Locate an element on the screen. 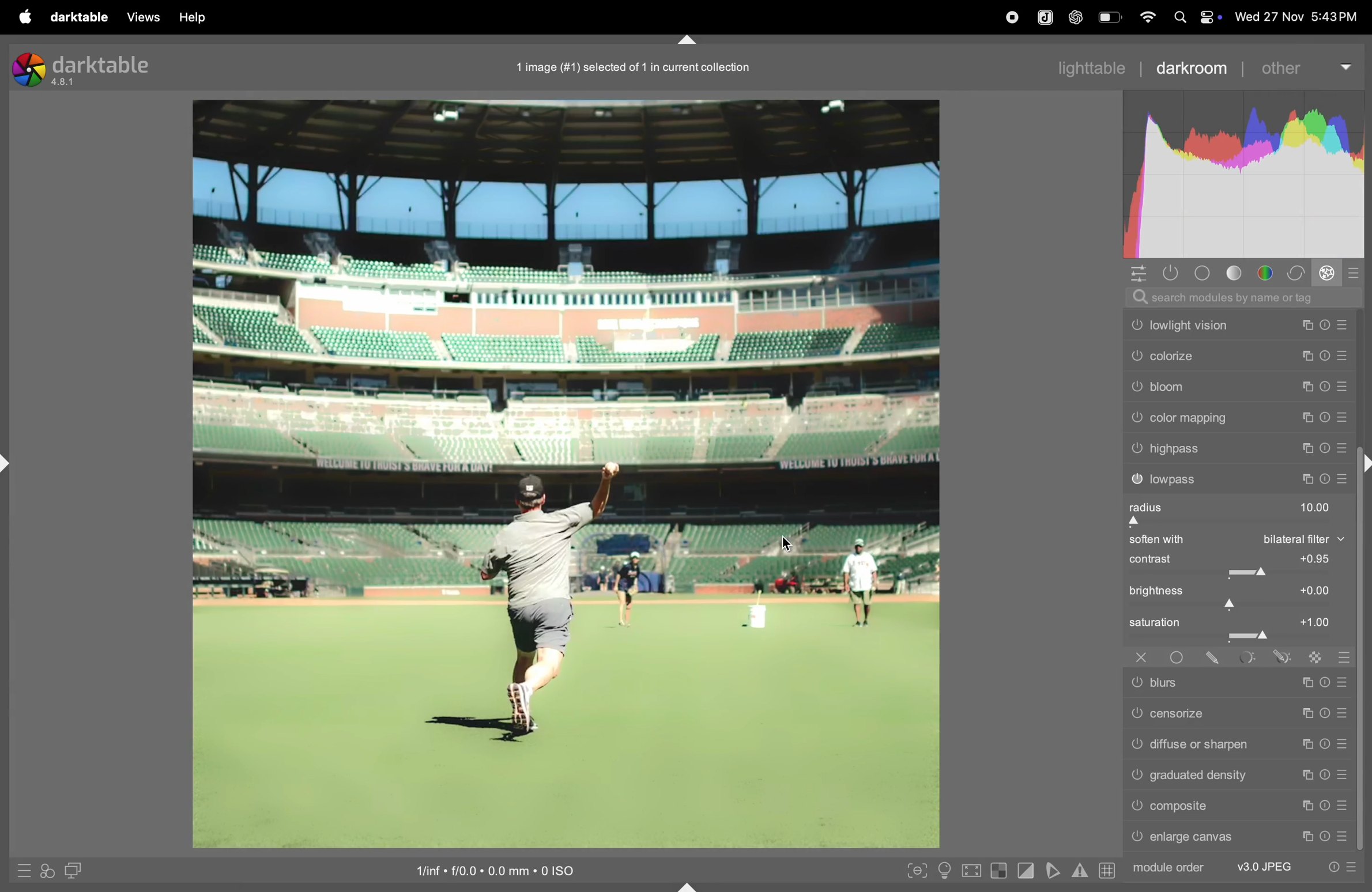 The image size is (1372, 892). iso is located at coordinates (508, 868).